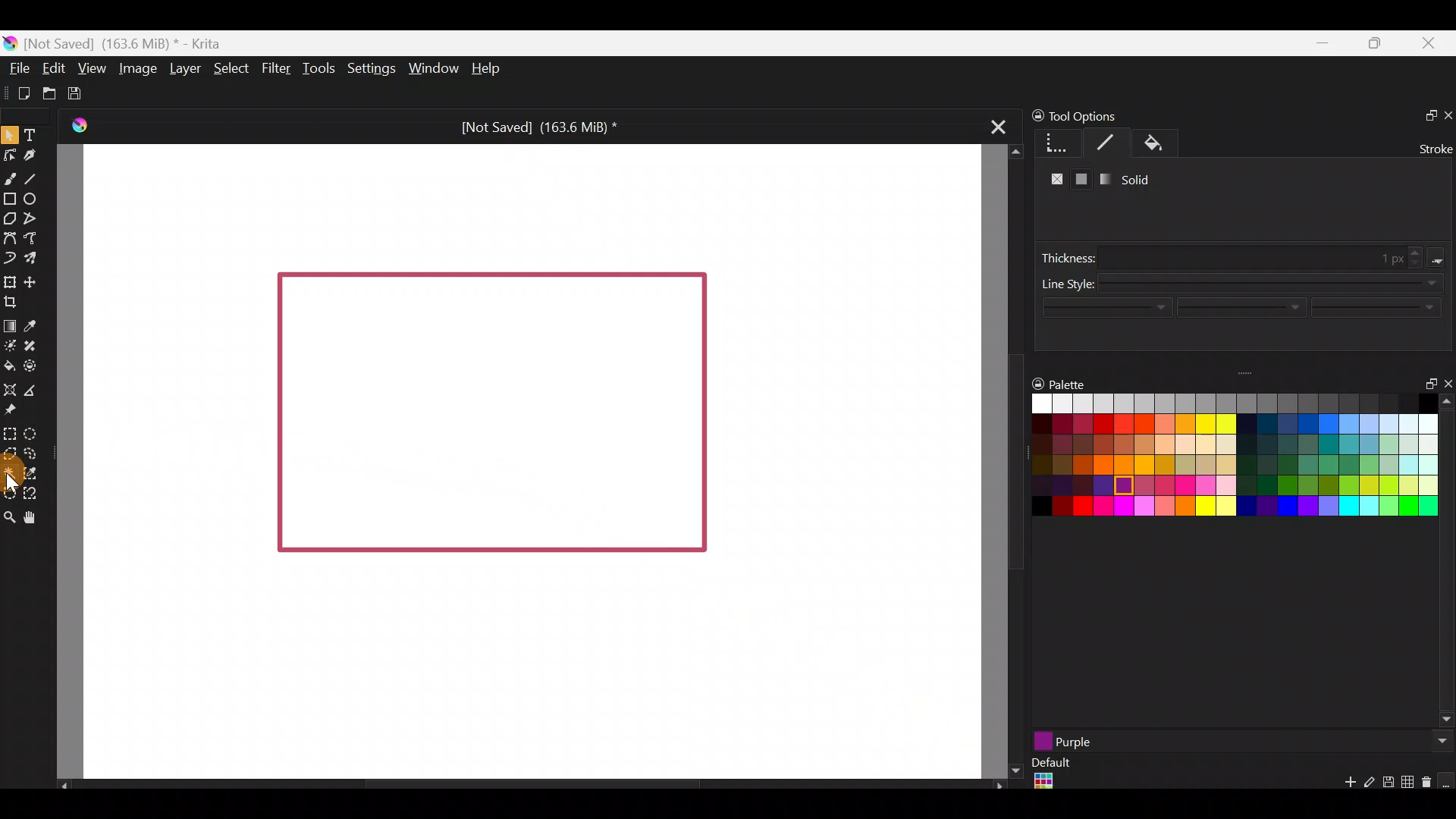  What do you see at coordinates (9, 516) in the screenshot?
I see `Zoom tool` at bounding box center [9, 516].